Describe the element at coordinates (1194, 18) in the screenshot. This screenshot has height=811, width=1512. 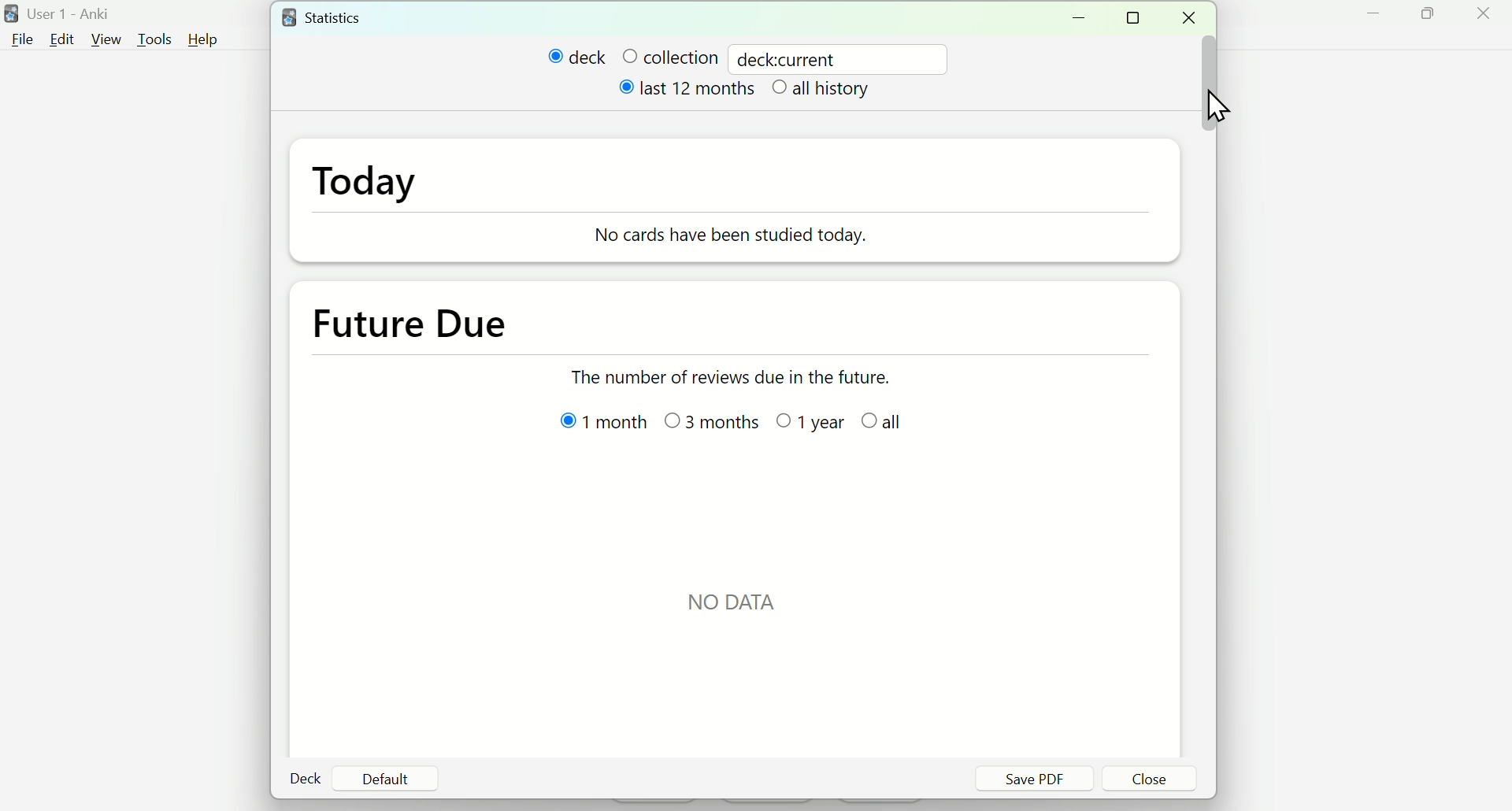
I see `Close` at that location.